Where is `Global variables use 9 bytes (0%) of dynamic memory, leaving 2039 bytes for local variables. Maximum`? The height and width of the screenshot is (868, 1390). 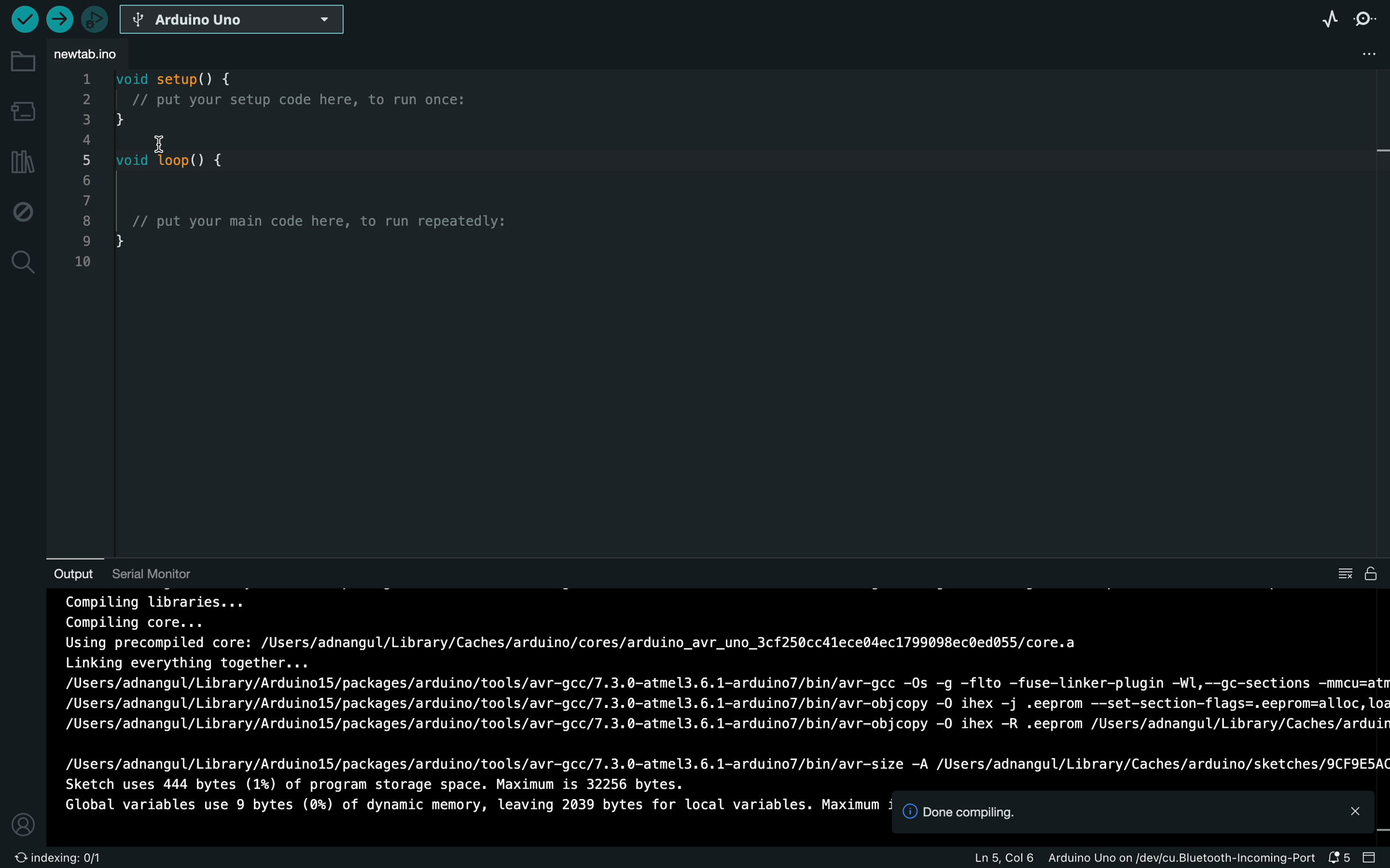 Global variables use 9 bytes (0%) of dynamic memory, leaving 2039 bytes for local variables. Maximum is located at coordinates (469, 805).